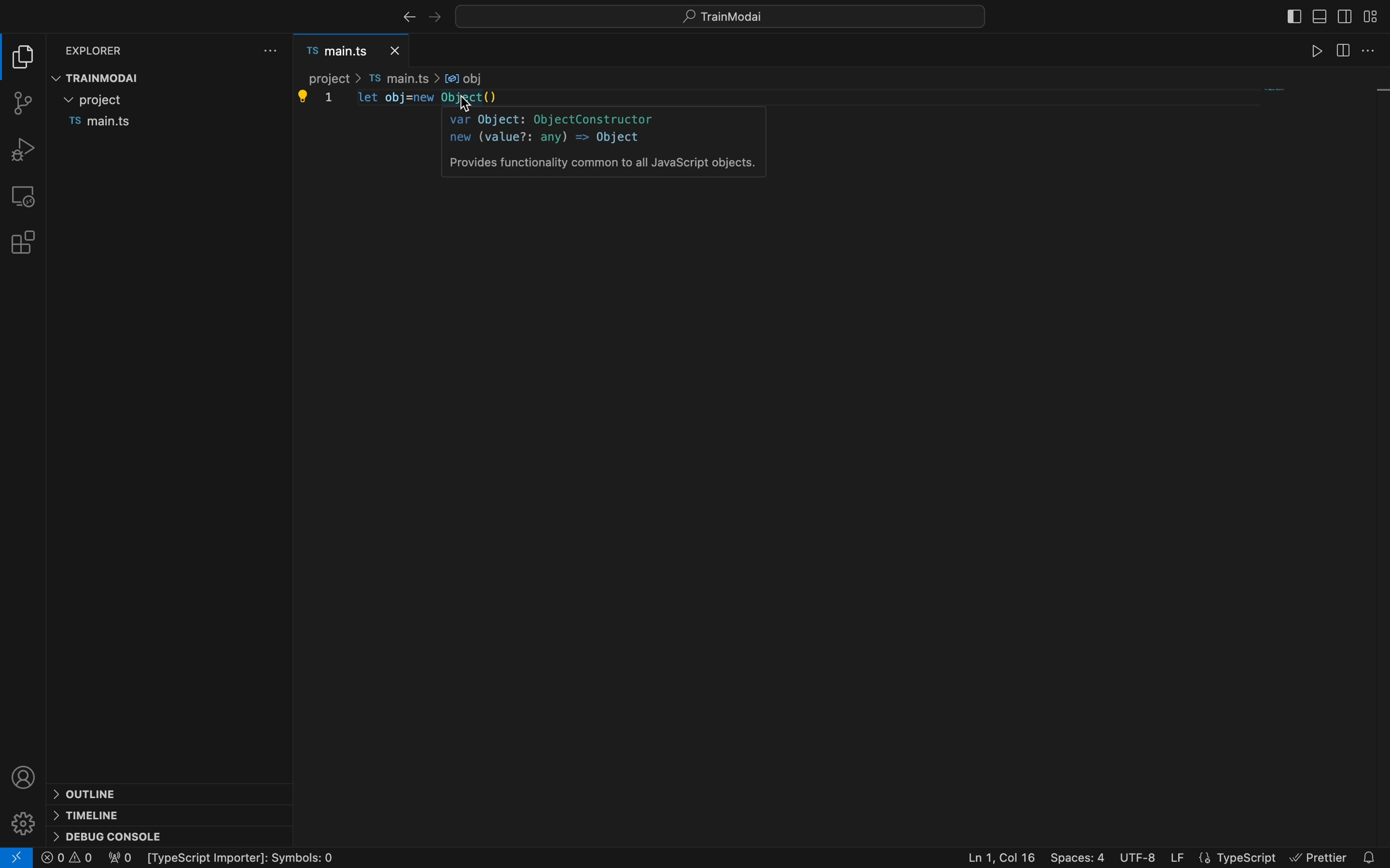  I want to click on Breadcrumb, so click(398, 77).